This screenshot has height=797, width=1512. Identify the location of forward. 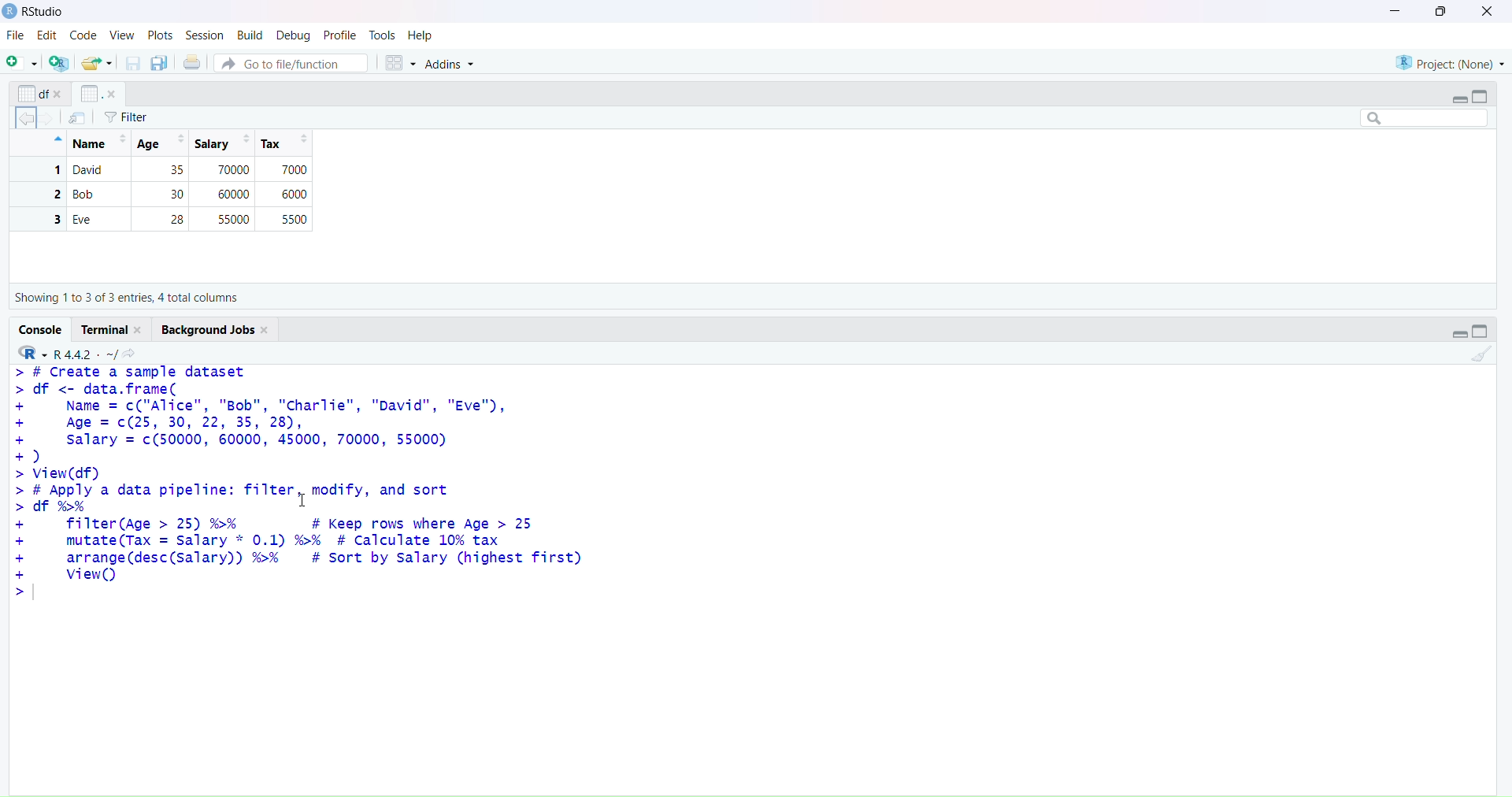
(50, 118).